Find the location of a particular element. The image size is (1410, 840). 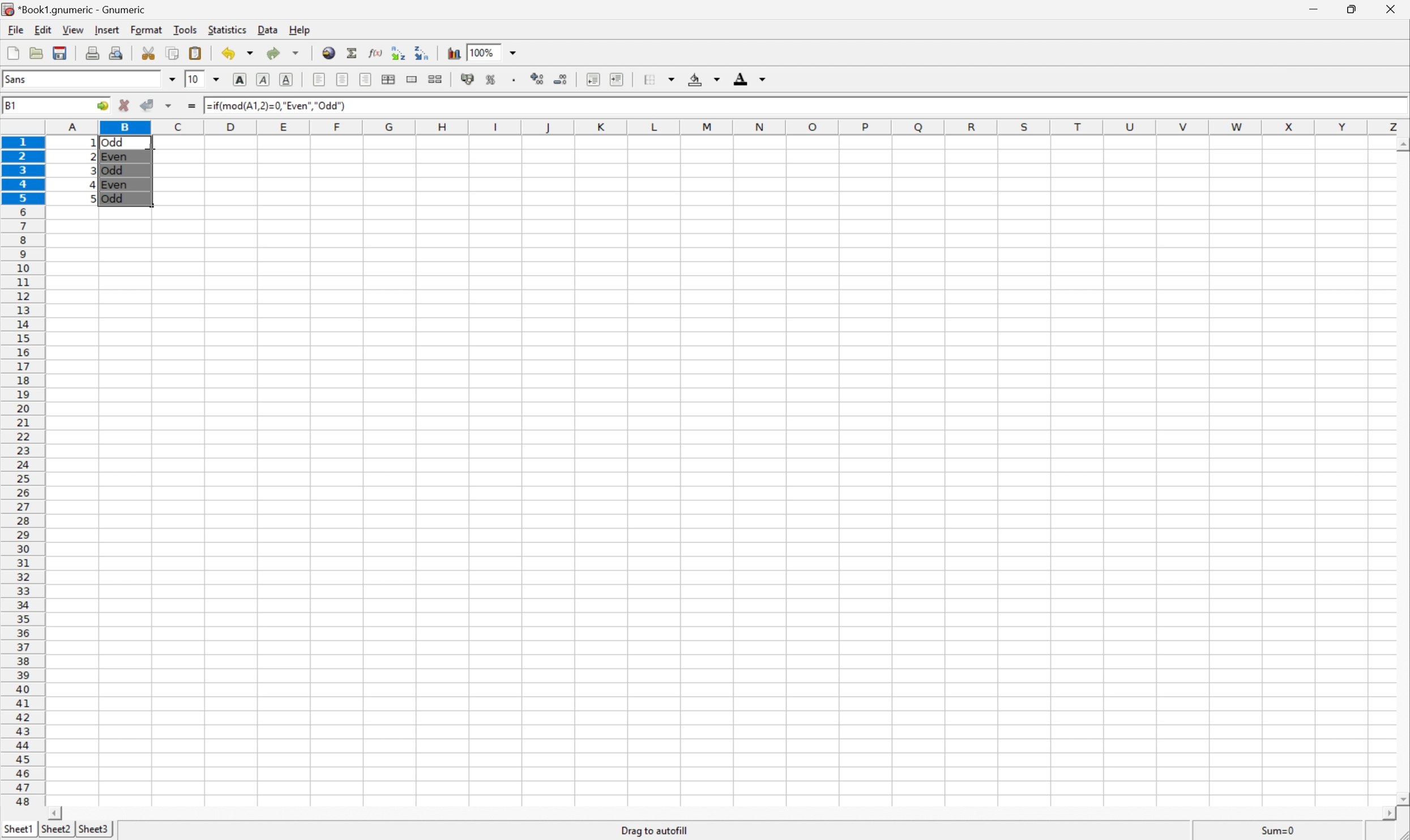

Drop Down is located at coordinates (174, 78).